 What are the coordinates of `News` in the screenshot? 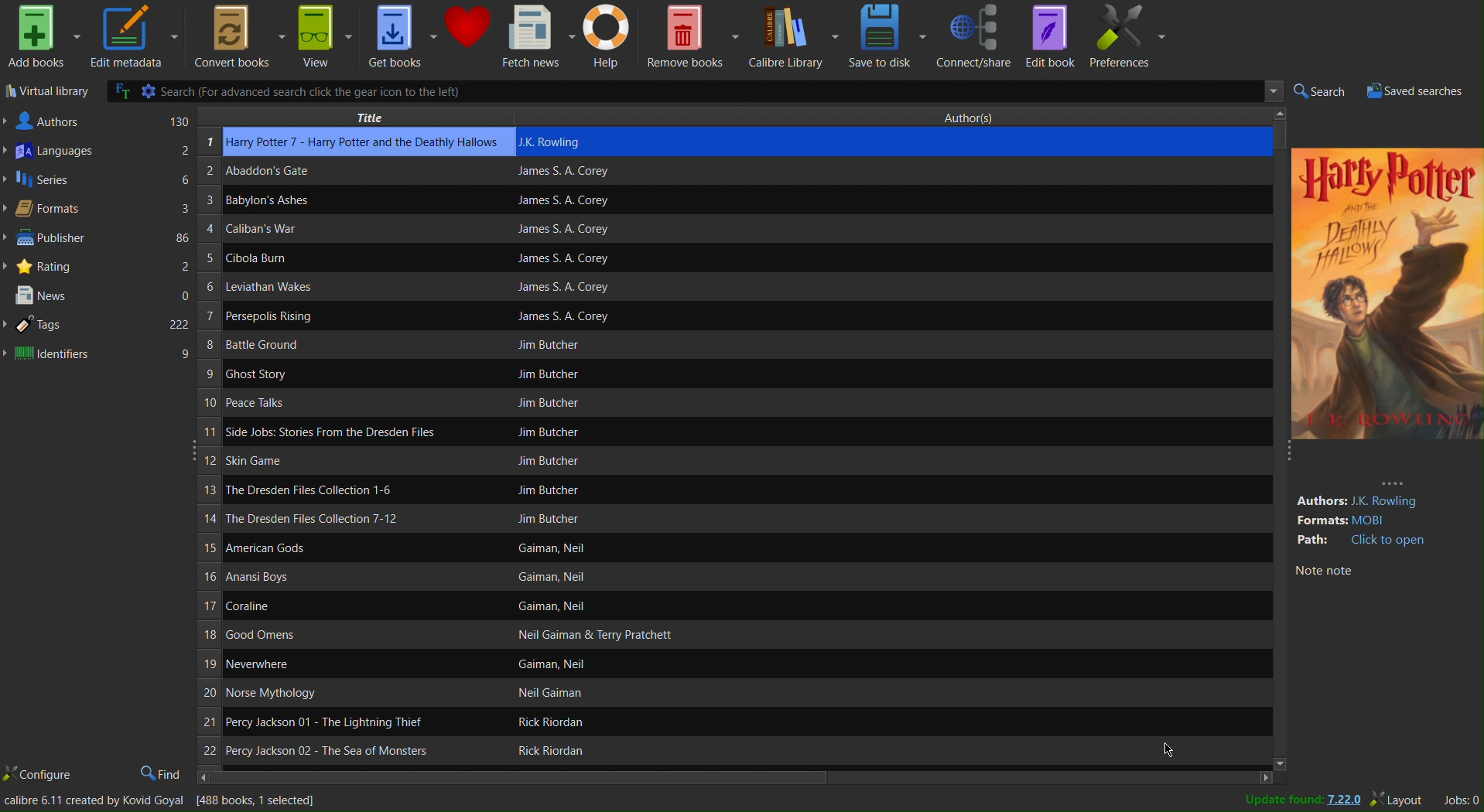 It's located at (100, 295).